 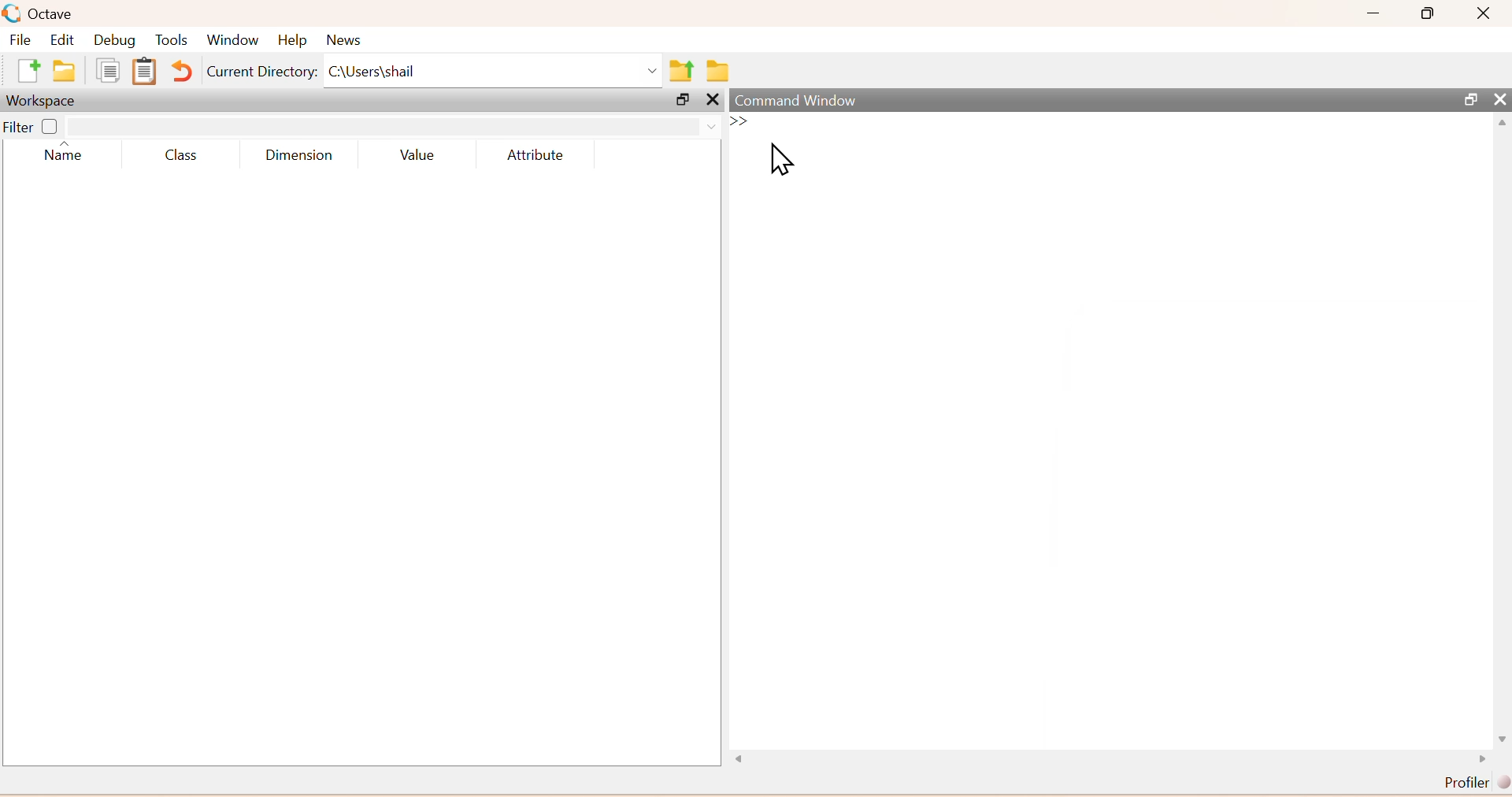 What do you see at coordinates (69, 71) in the screenshot?
I see `open an existing file in directory` at bounding box center [69, 71].